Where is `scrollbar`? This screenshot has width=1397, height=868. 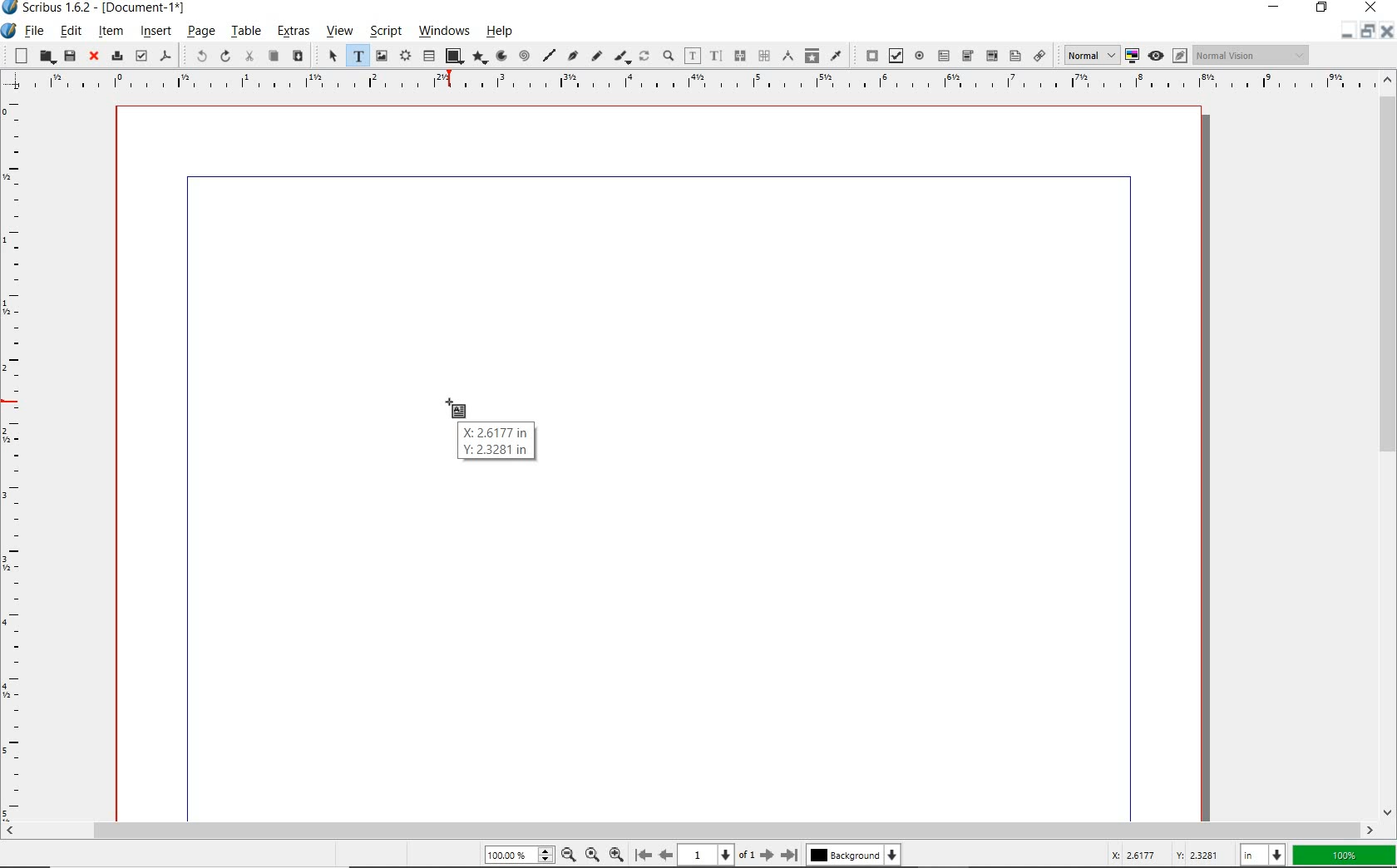
scrollbar is located at coordinates (1389, 445).